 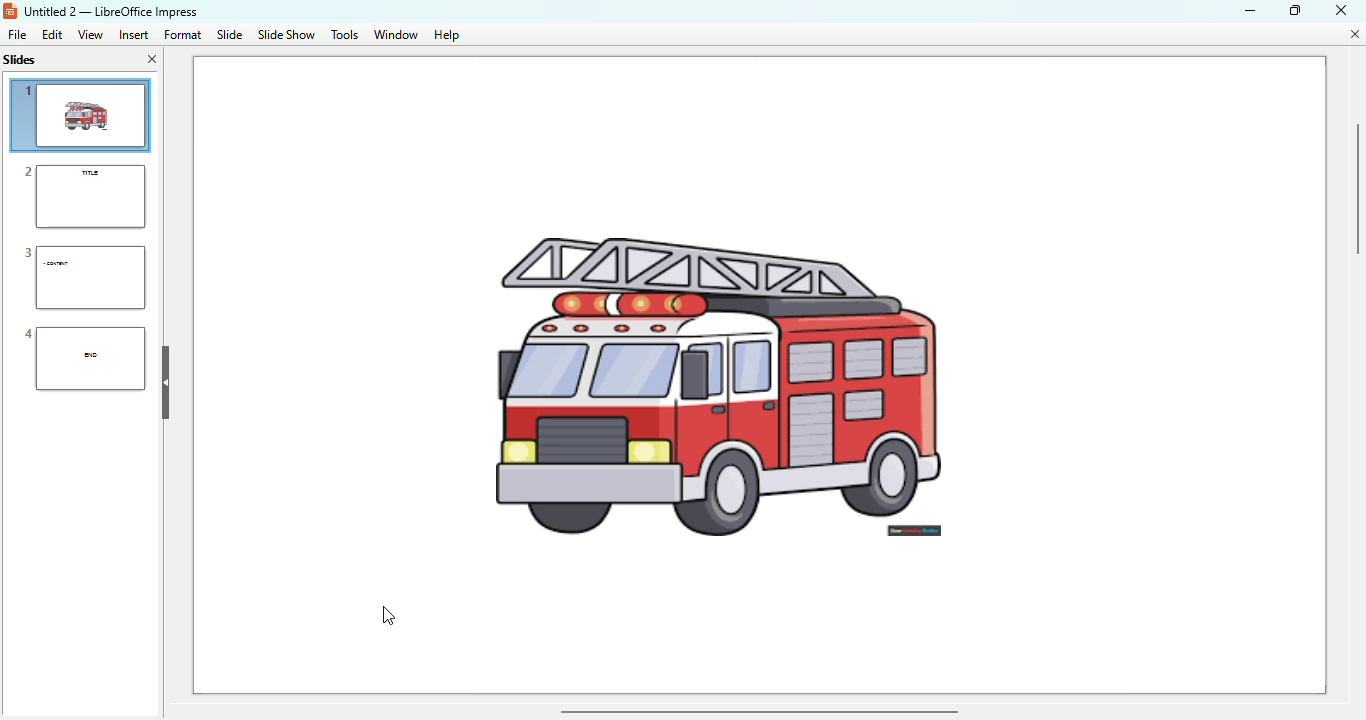 I want to click on tools, so click(x=344, y=35).